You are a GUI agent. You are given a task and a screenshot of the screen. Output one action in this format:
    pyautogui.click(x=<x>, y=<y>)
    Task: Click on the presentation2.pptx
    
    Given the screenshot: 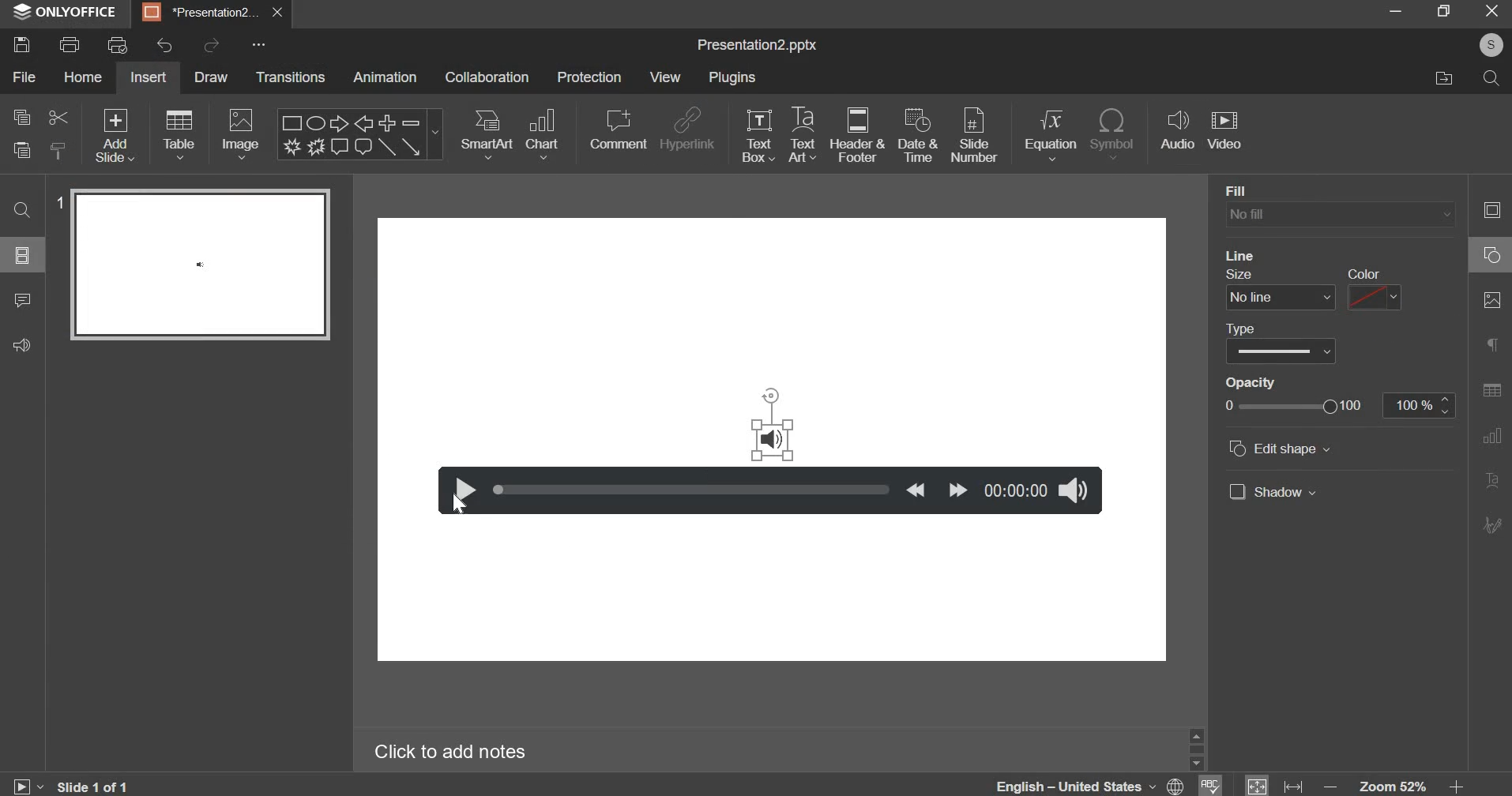 What is the action you would take?
    pyautogui.click(x=763, y=46)
    